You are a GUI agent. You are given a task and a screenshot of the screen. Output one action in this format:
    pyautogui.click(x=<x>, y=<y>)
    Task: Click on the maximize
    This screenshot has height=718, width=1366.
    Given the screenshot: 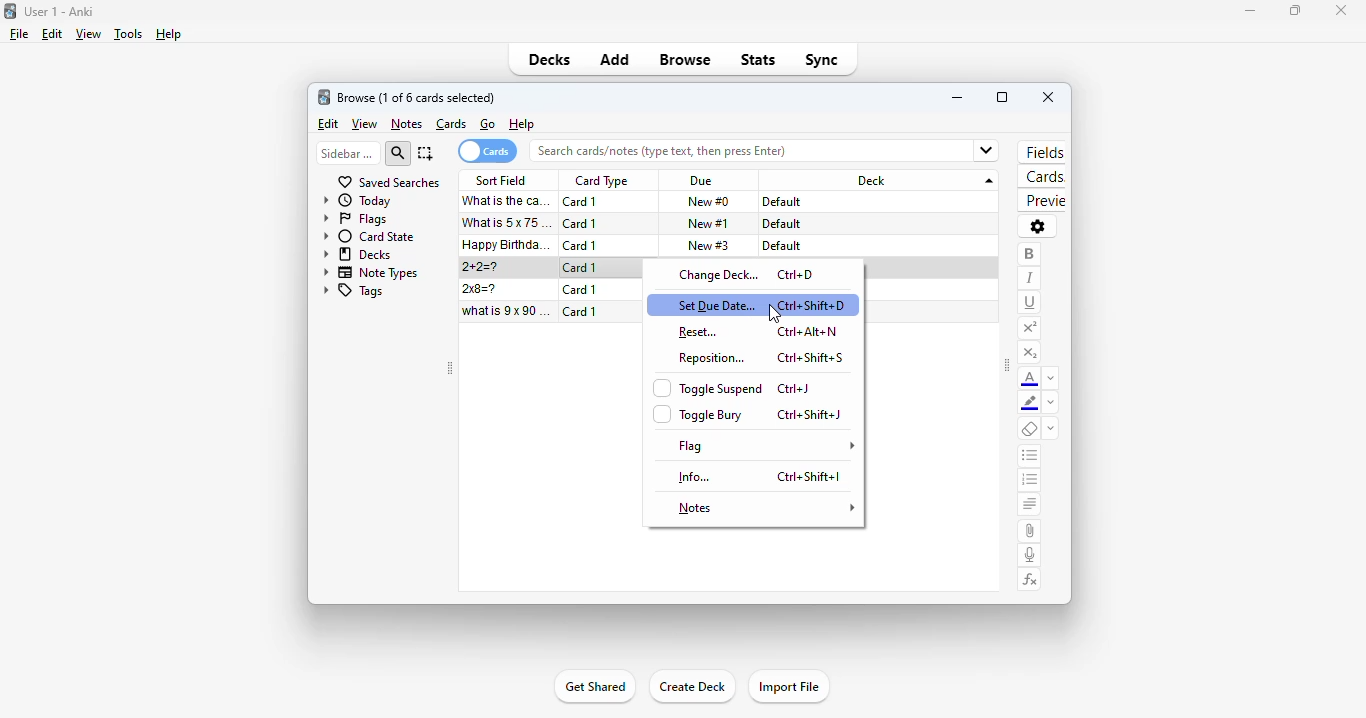 What is the action you would take?
    pyautogui.click(x=1294, y=12)
    